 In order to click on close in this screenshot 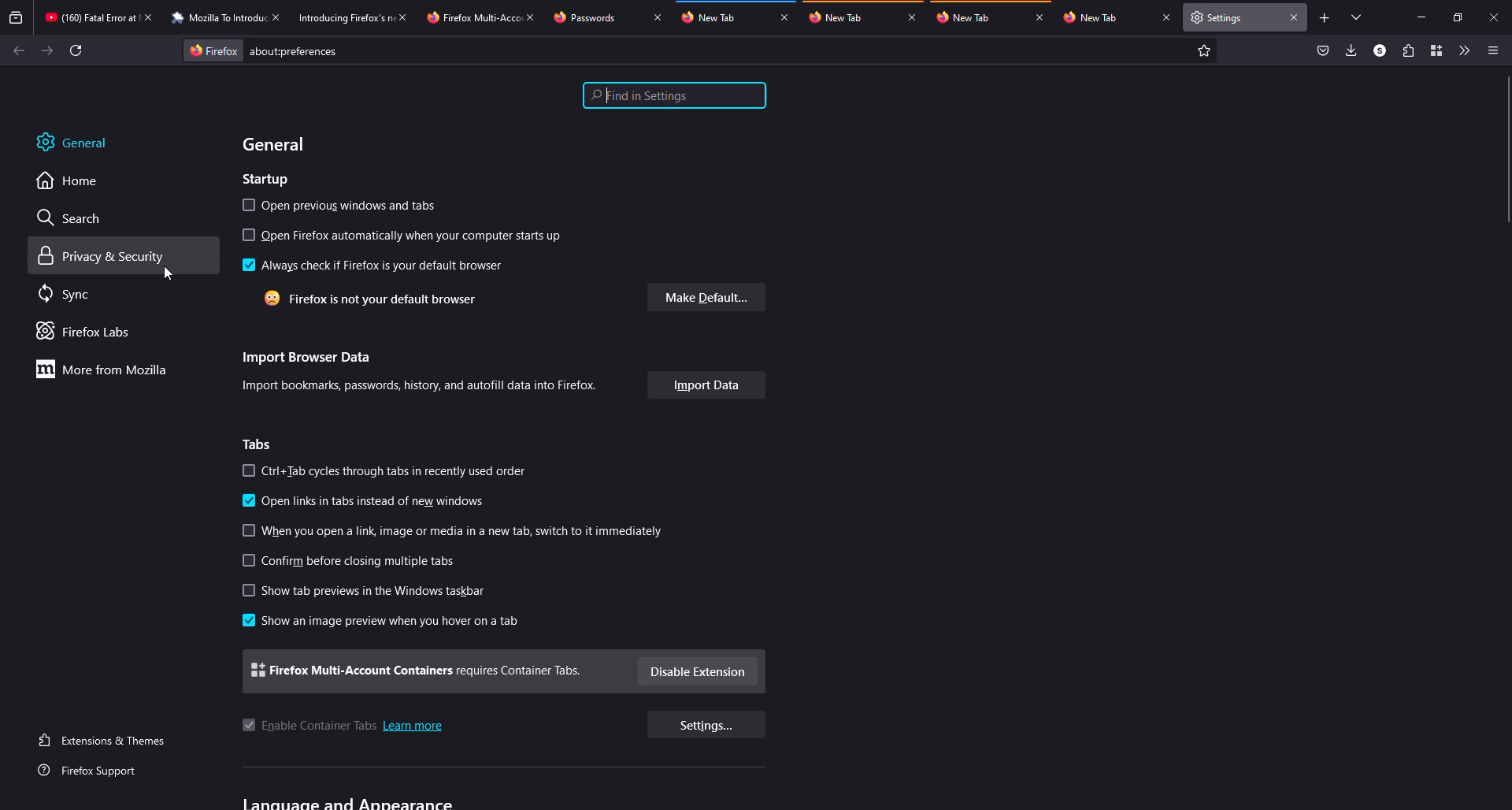, I will do `click(1165, 17)`.